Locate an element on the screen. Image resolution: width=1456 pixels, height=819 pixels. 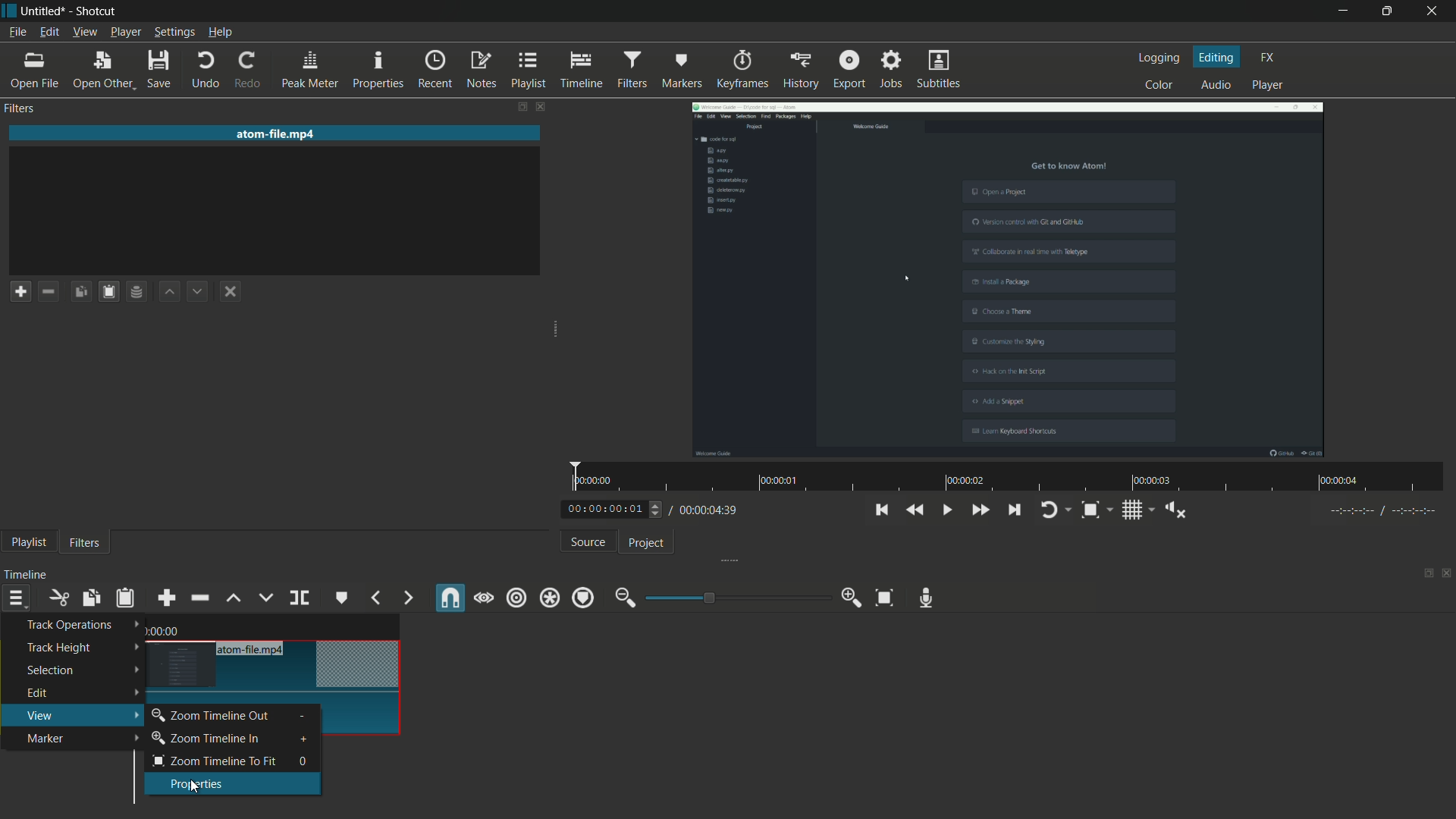
selection is located at coordinates (81, 670).